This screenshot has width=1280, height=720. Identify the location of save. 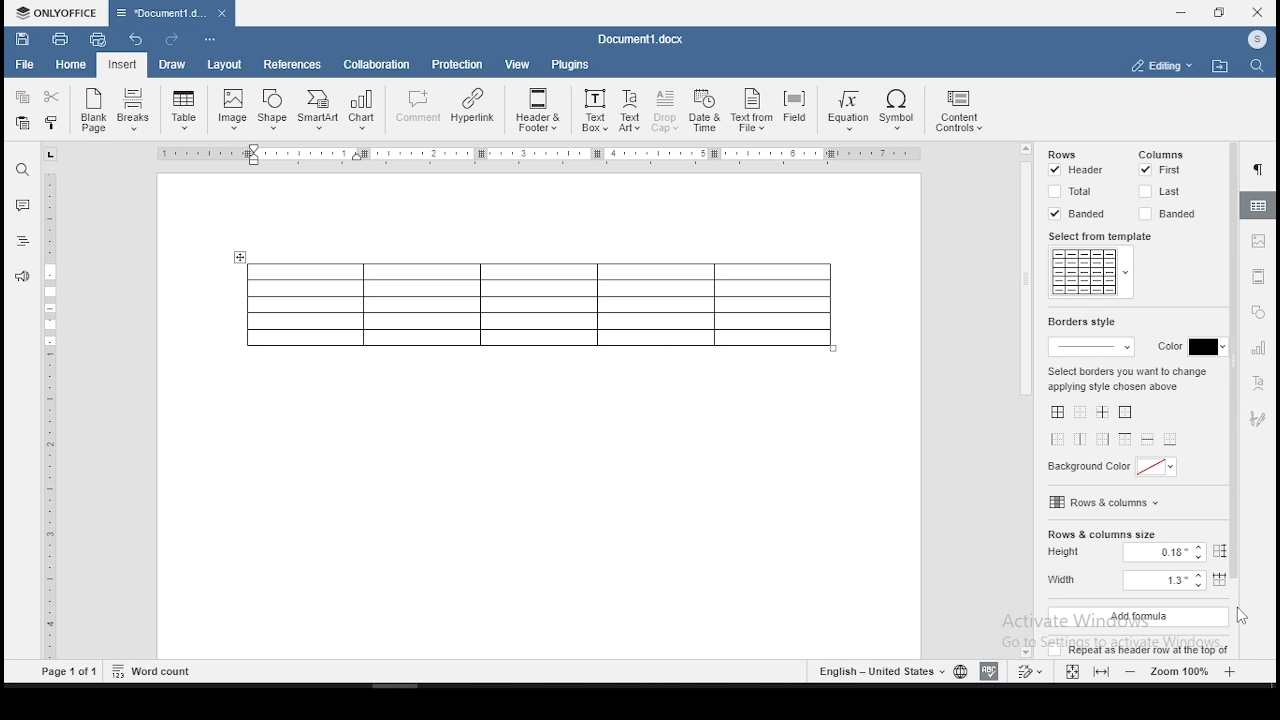
(21, 37).